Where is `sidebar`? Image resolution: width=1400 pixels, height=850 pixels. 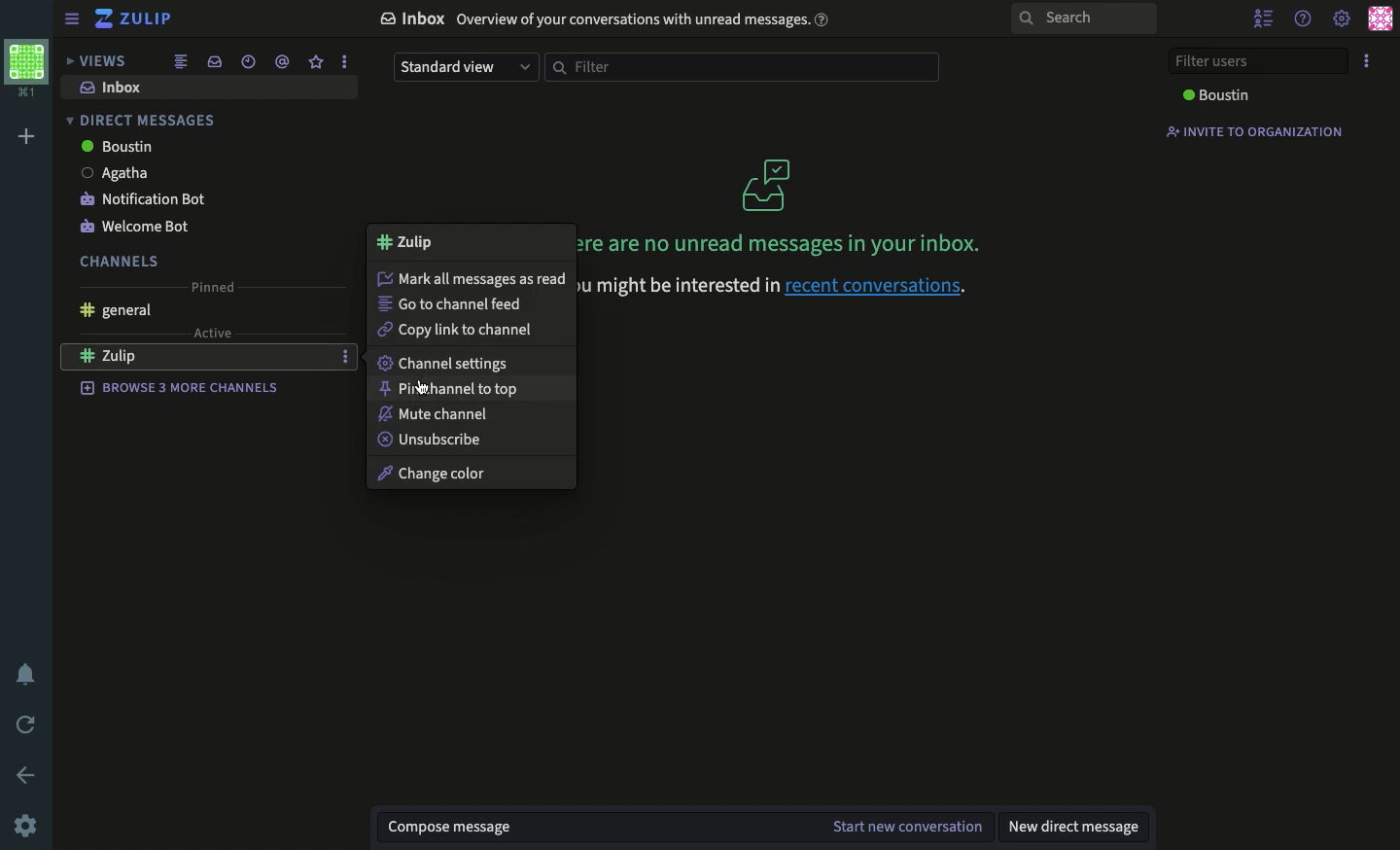
sidebar is located at coordinates (71, 20).